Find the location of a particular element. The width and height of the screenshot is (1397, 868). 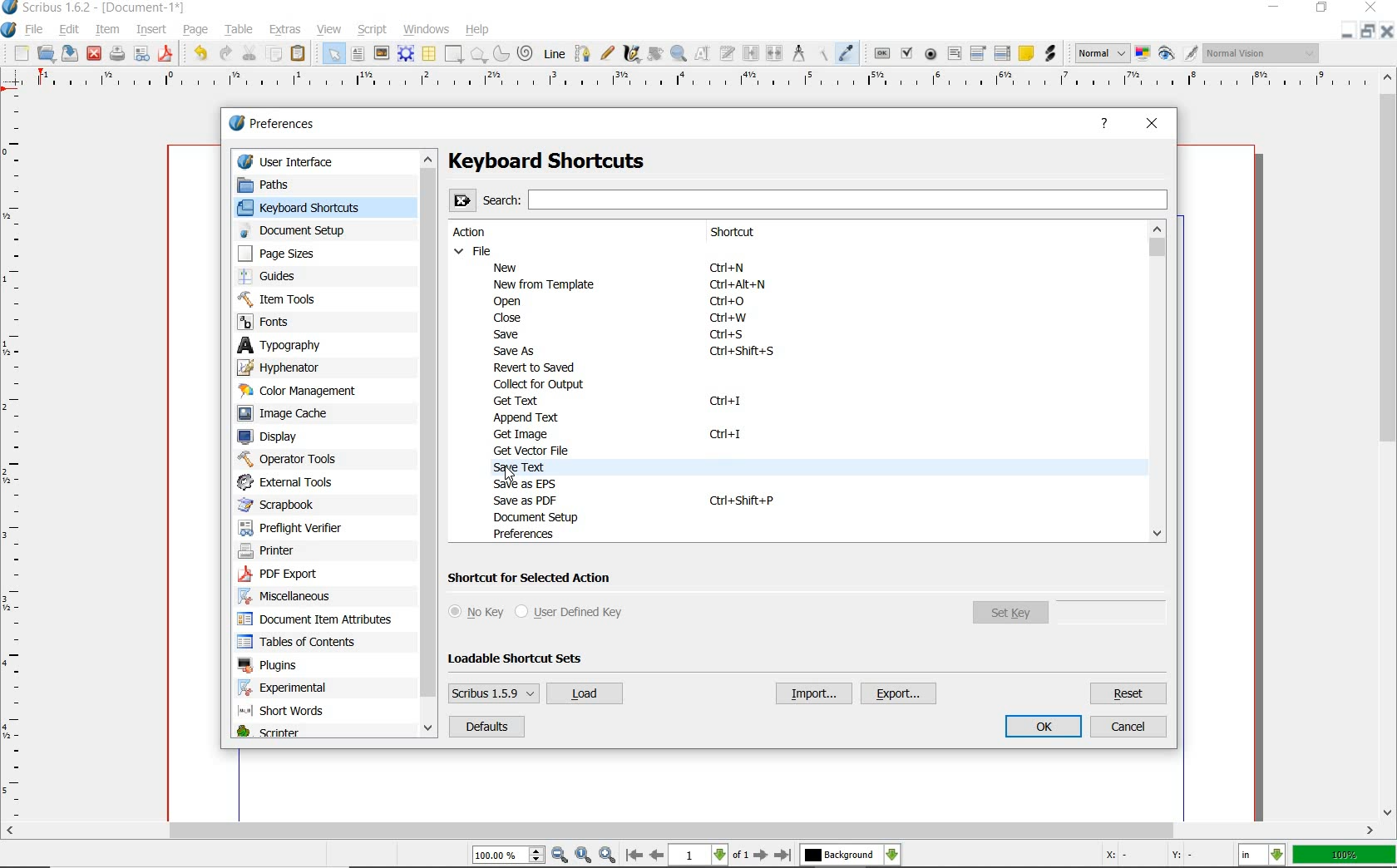

script is located at coordinates (375, 30).